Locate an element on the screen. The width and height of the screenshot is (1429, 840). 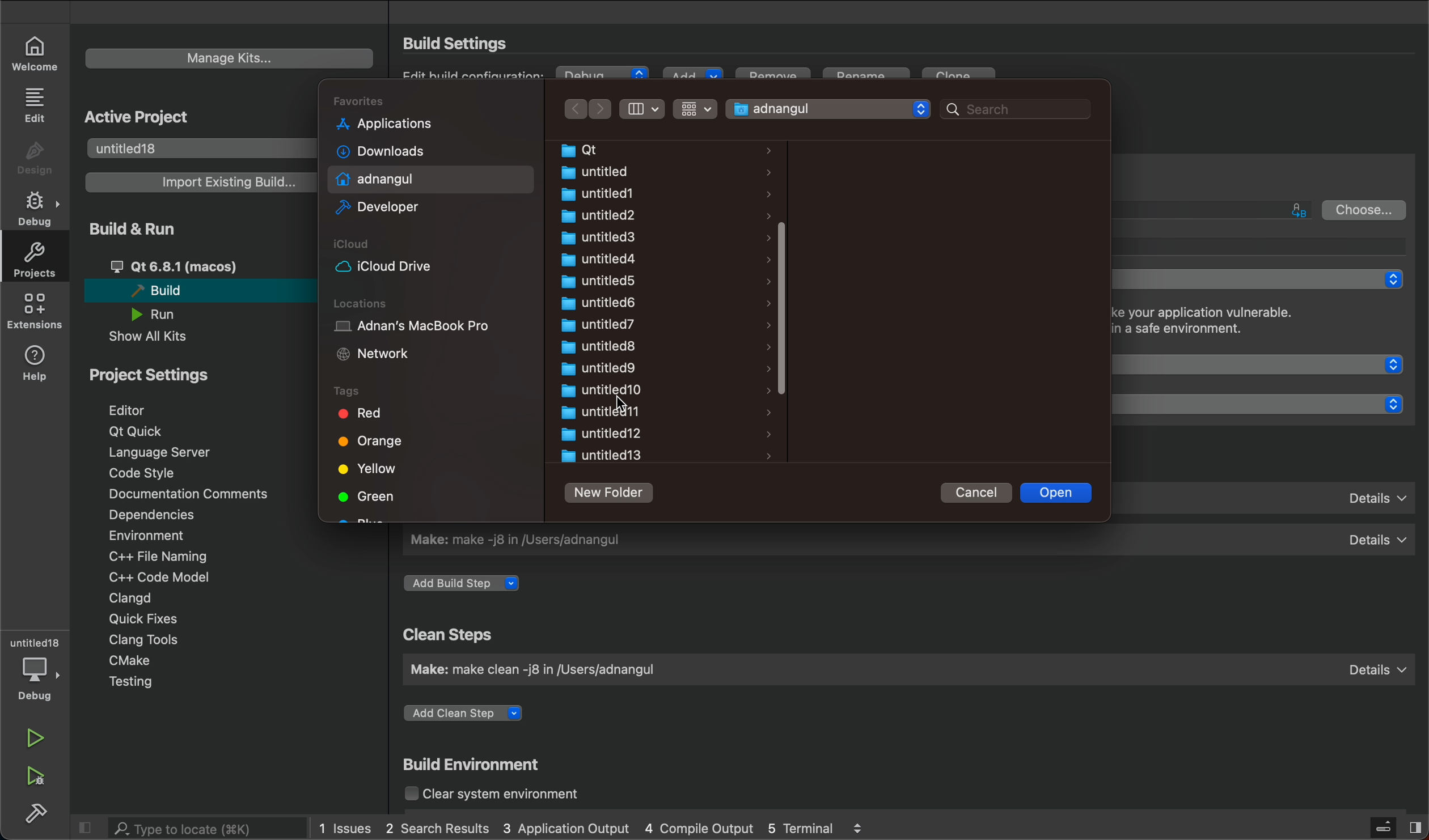
Applications is located at coordinates (379, 122).